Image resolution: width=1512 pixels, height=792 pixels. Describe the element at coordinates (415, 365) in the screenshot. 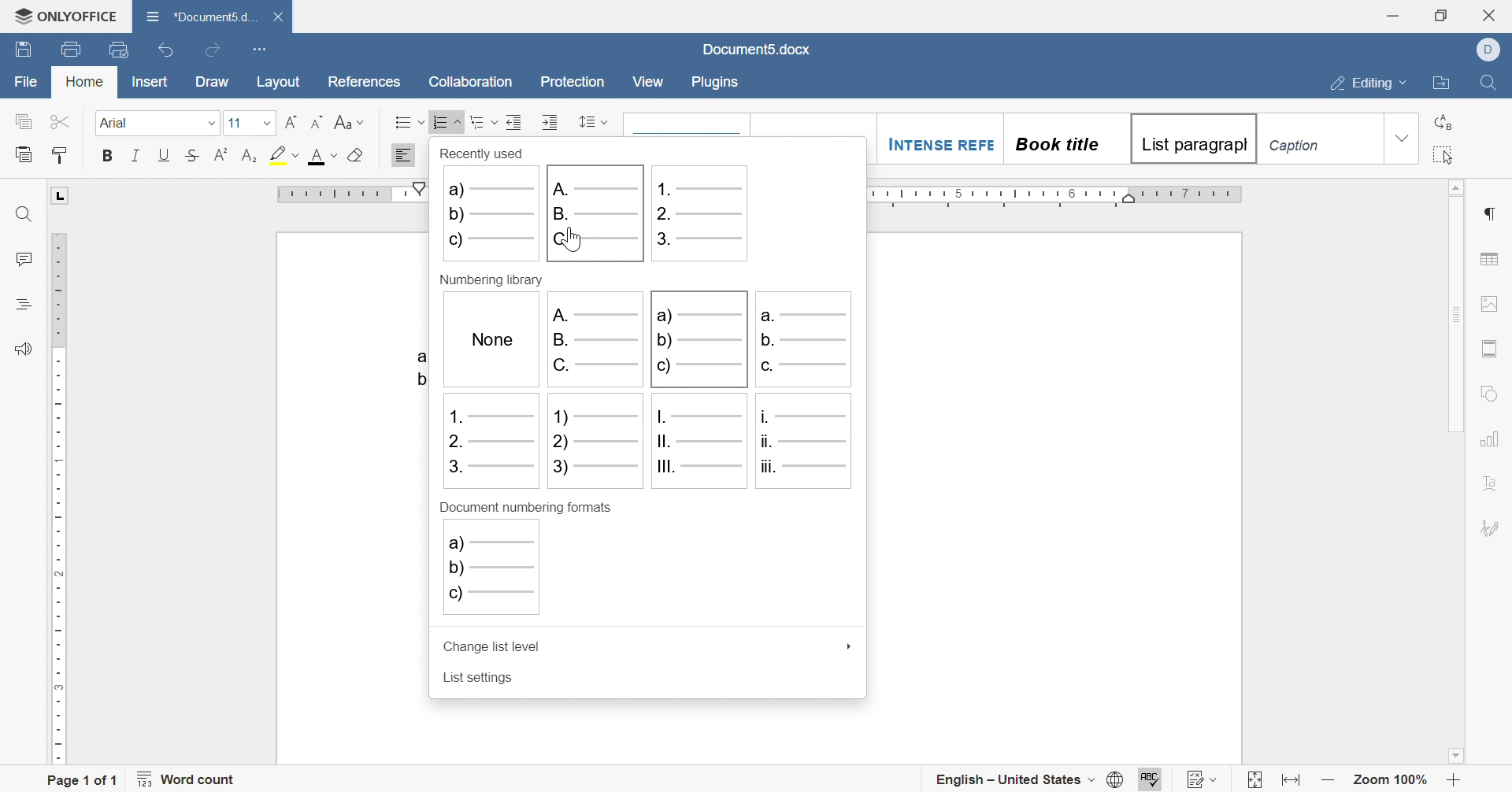

I see `A B` at that location.